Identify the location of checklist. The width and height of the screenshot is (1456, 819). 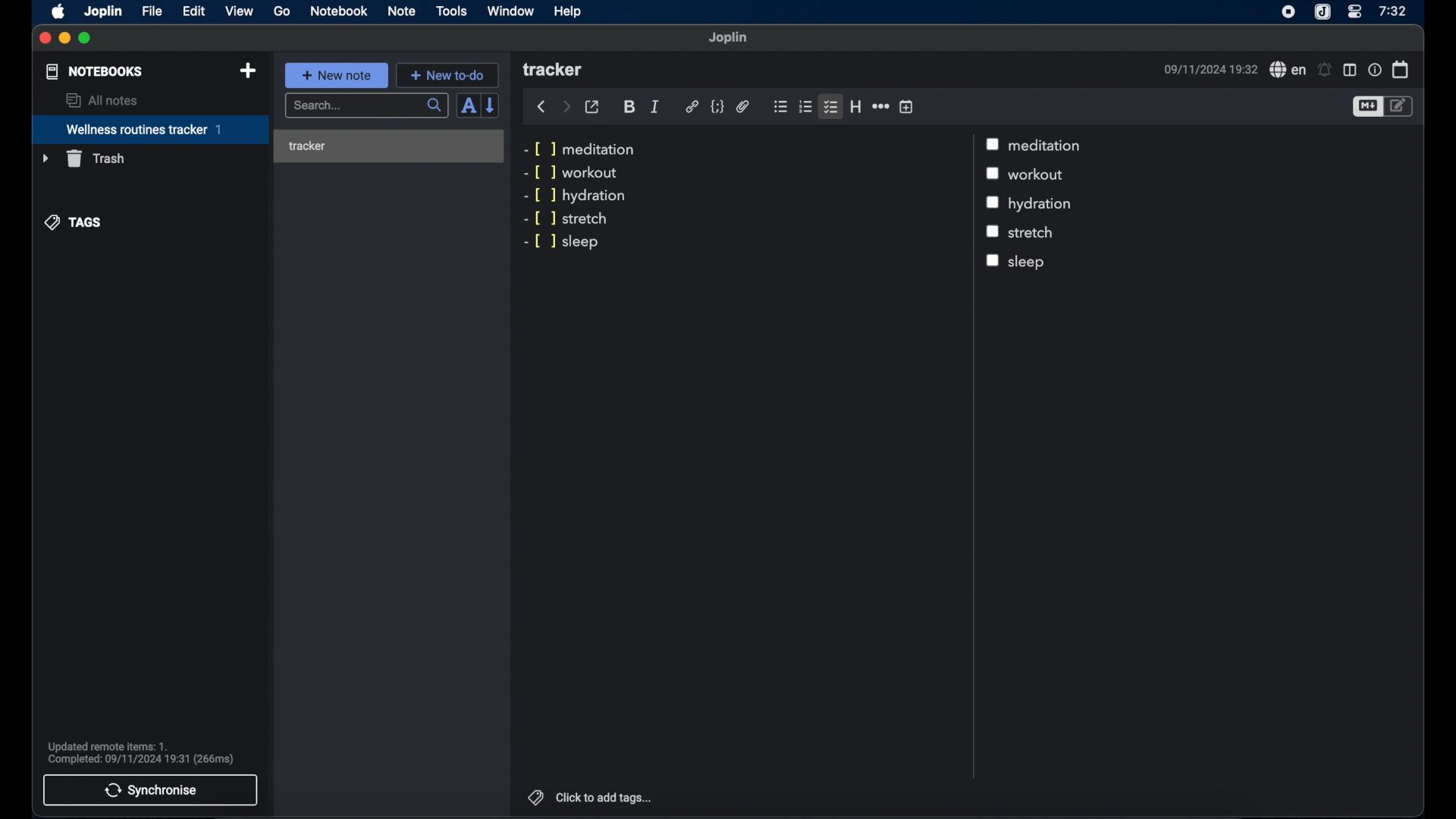
(830, 108).